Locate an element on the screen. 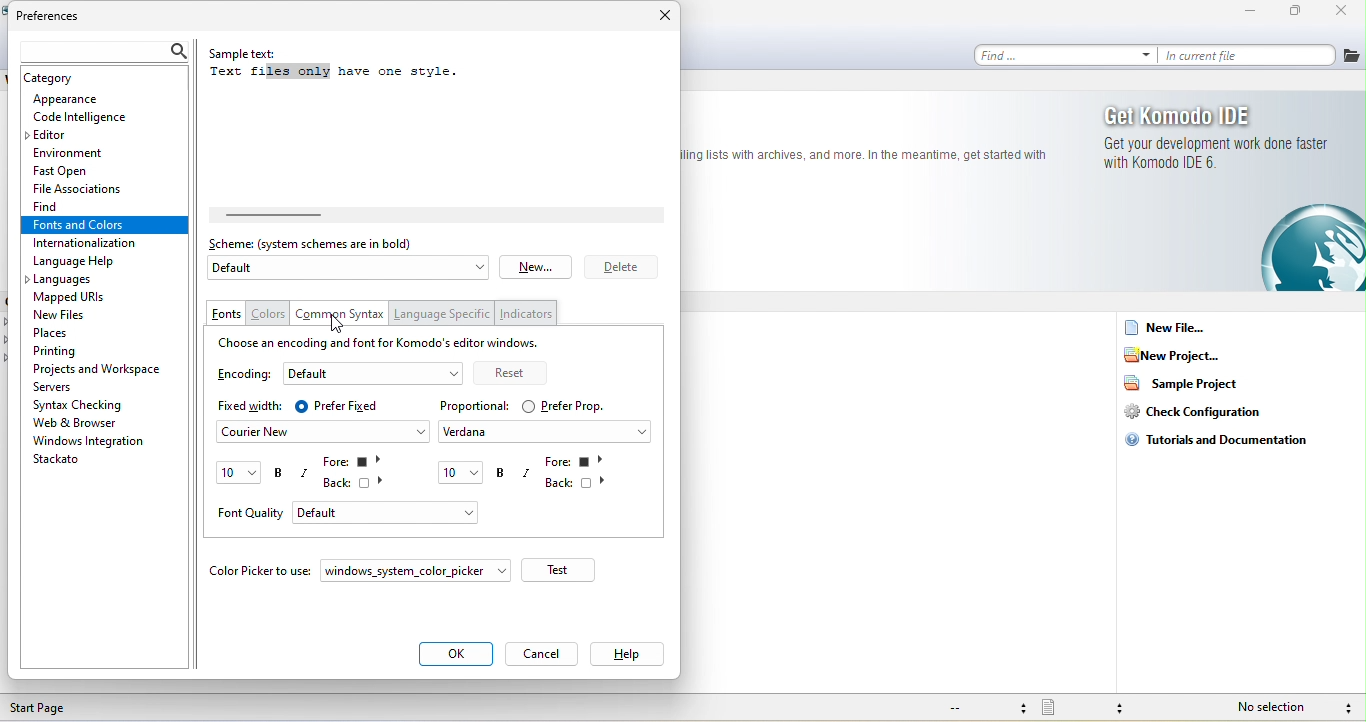 Image resolution: width=1366 pixels, height=722 pixels. default is located at coordinates (349, 270).